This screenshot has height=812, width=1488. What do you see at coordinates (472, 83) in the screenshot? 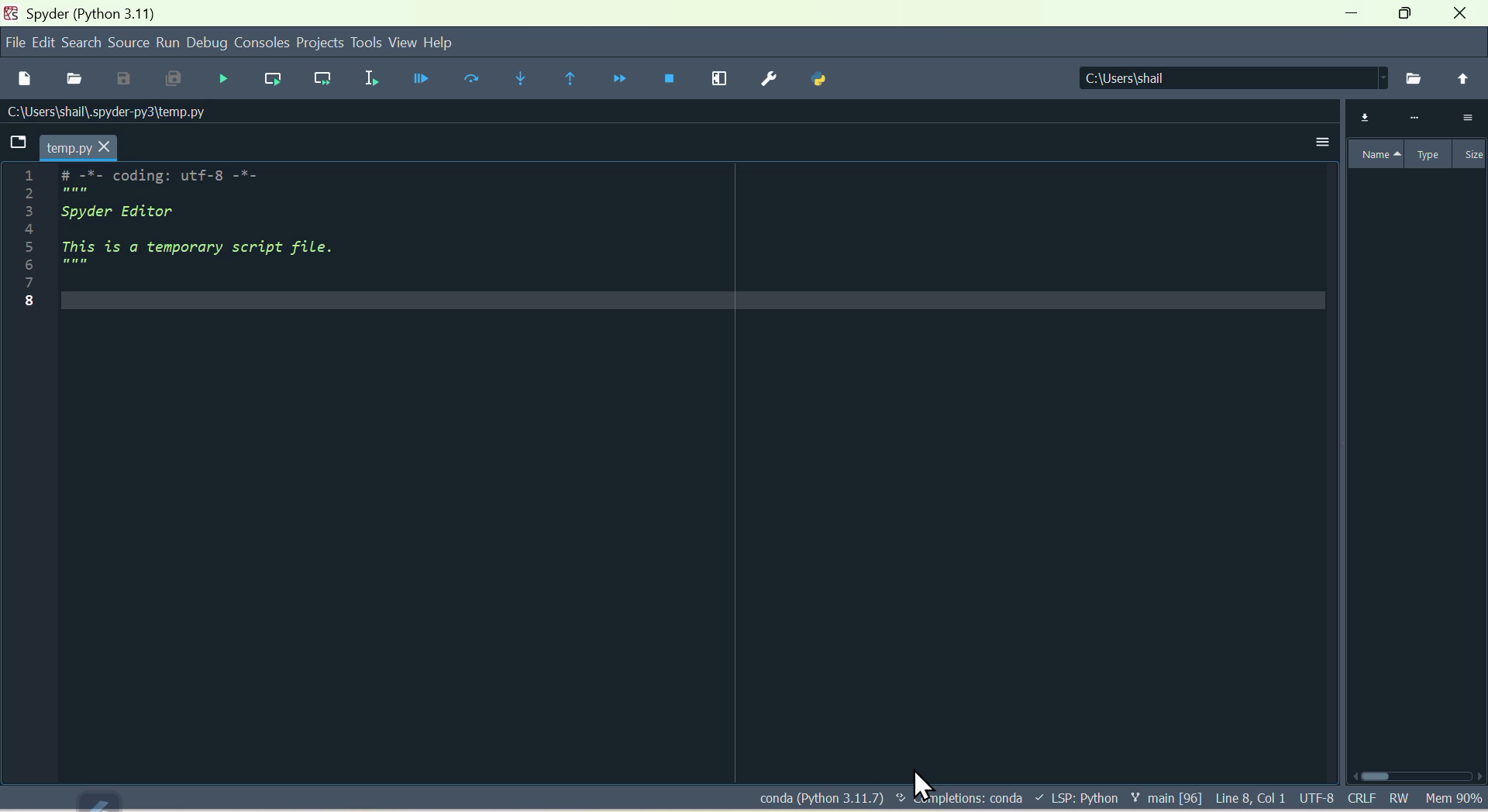
I see `Run cell` at bounding box center [472, 83].